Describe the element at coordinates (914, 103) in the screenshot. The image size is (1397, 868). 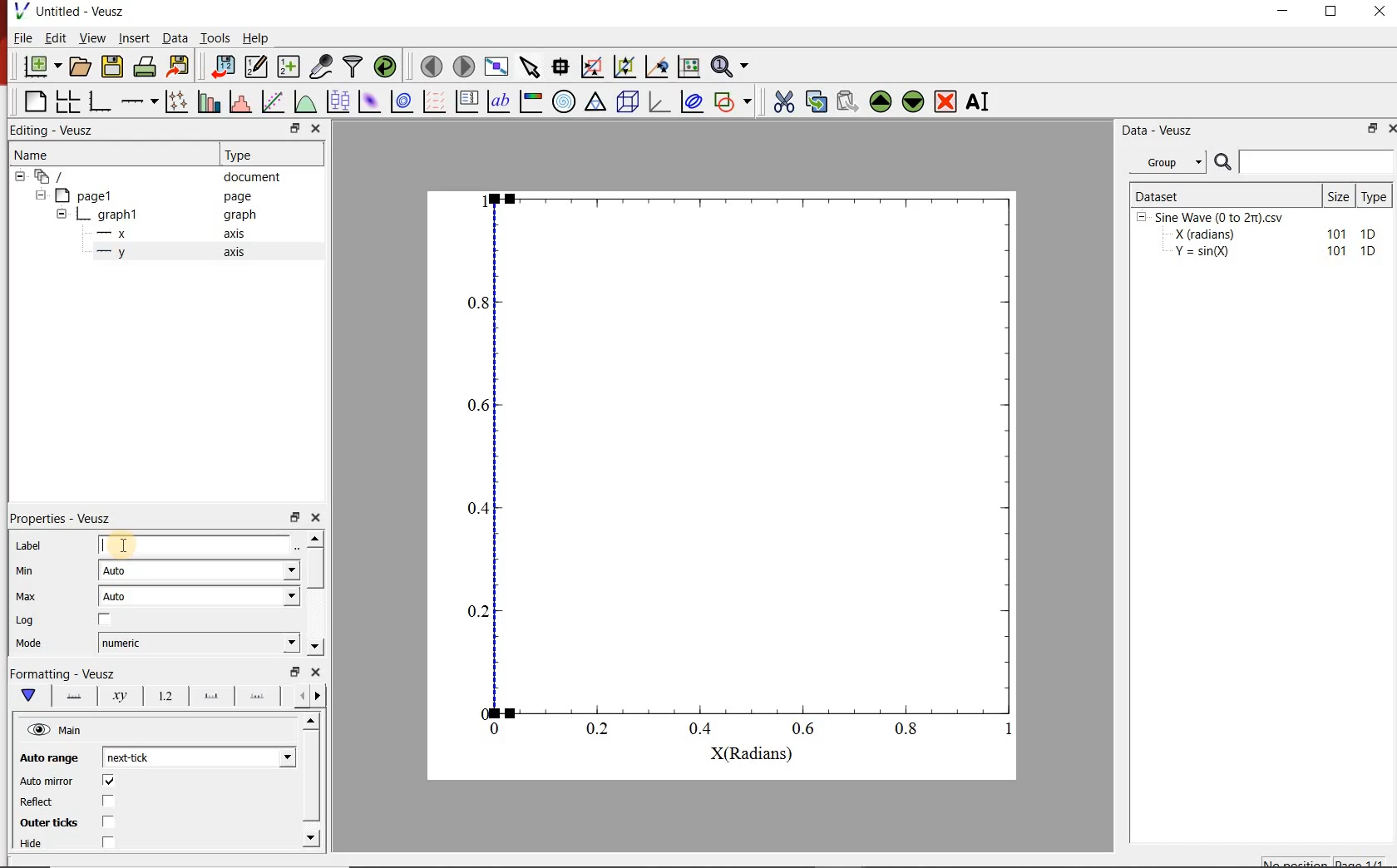
I see `move down` at that location.